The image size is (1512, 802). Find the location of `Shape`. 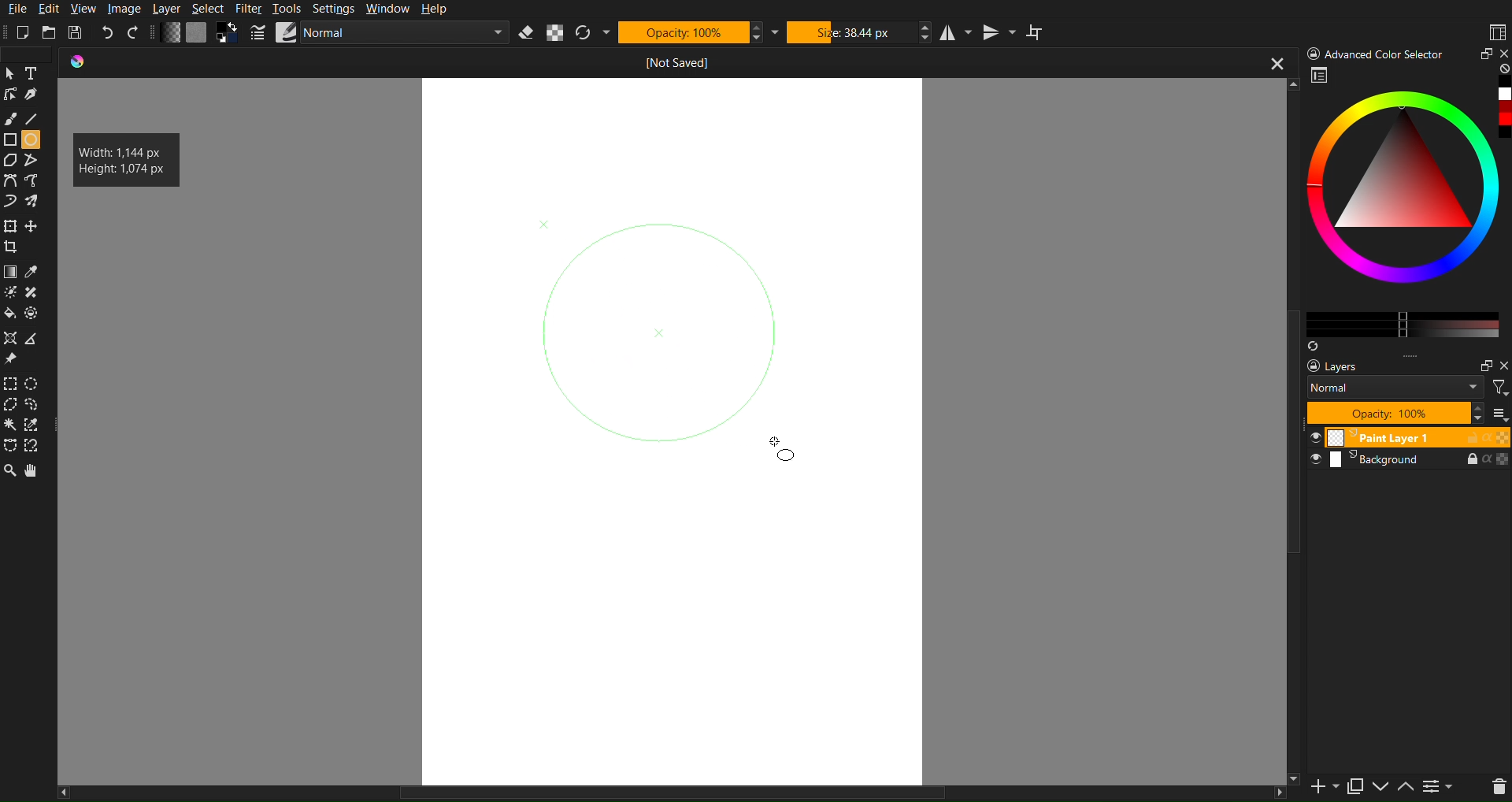

Shape is located at coordinates (9, 338).